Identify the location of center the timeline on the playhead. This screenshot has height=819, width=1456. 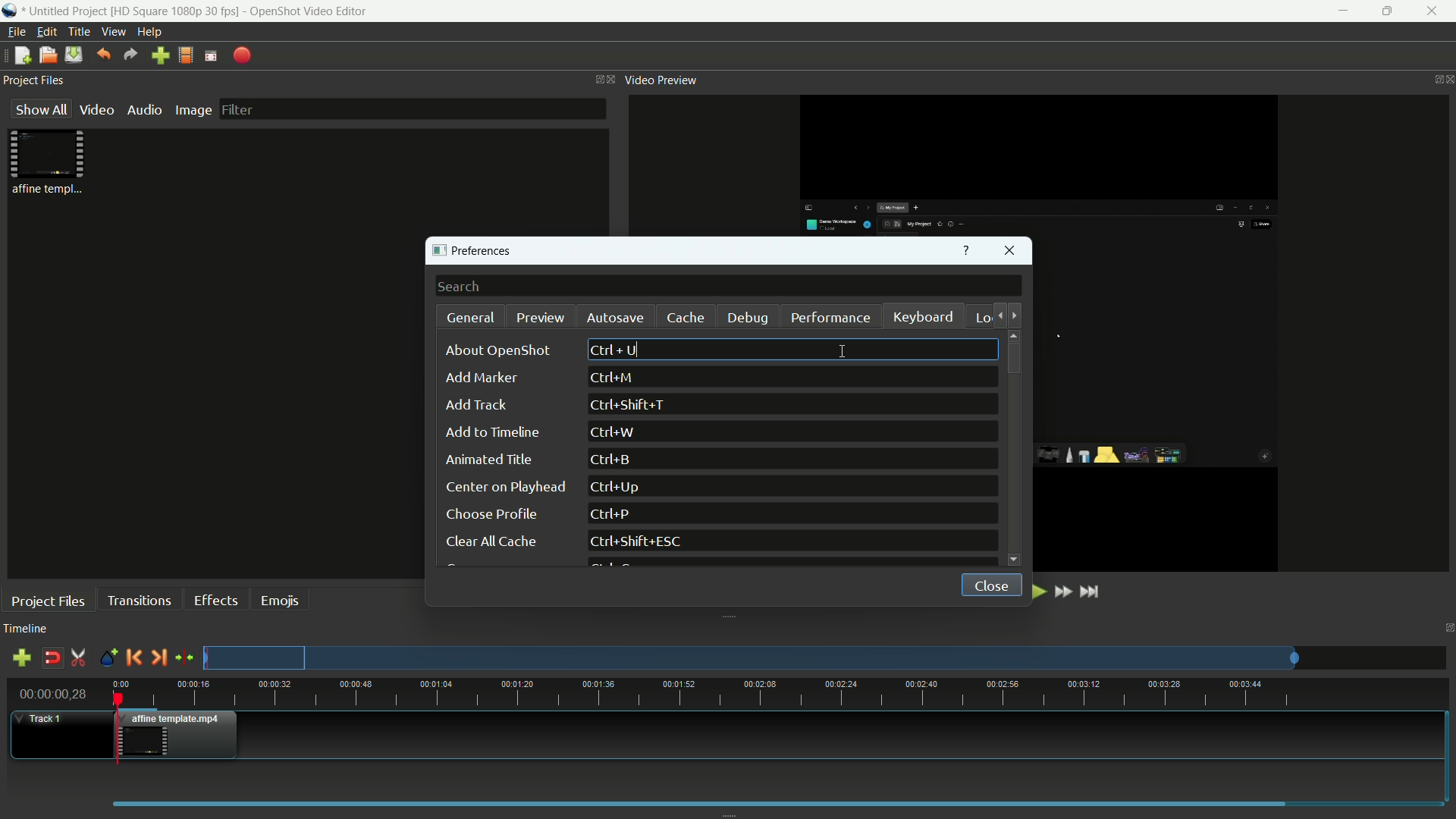
(184, 657).